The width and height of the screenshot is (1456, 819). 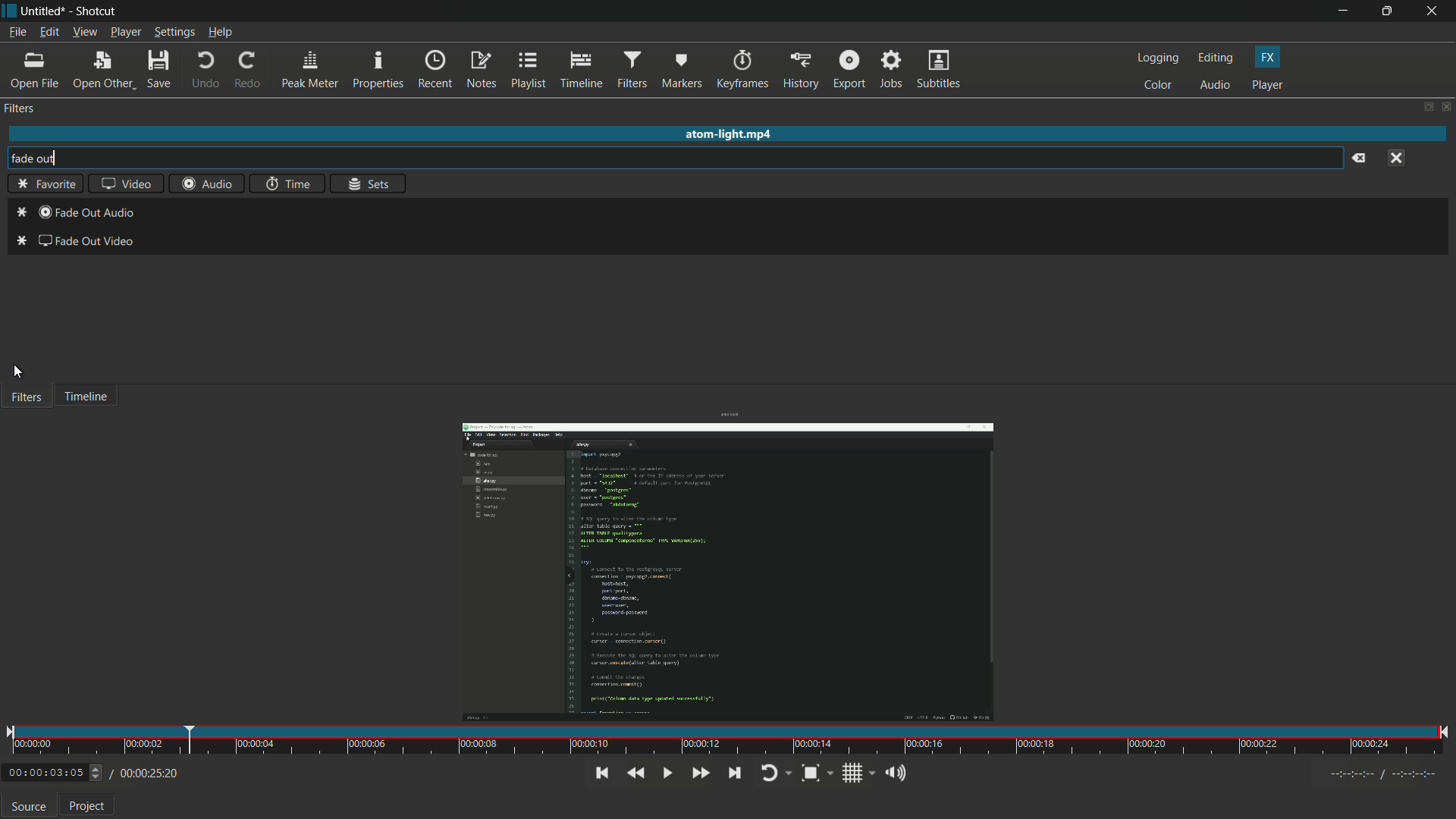 I want to click on help menu, so click(x=221, y=33).